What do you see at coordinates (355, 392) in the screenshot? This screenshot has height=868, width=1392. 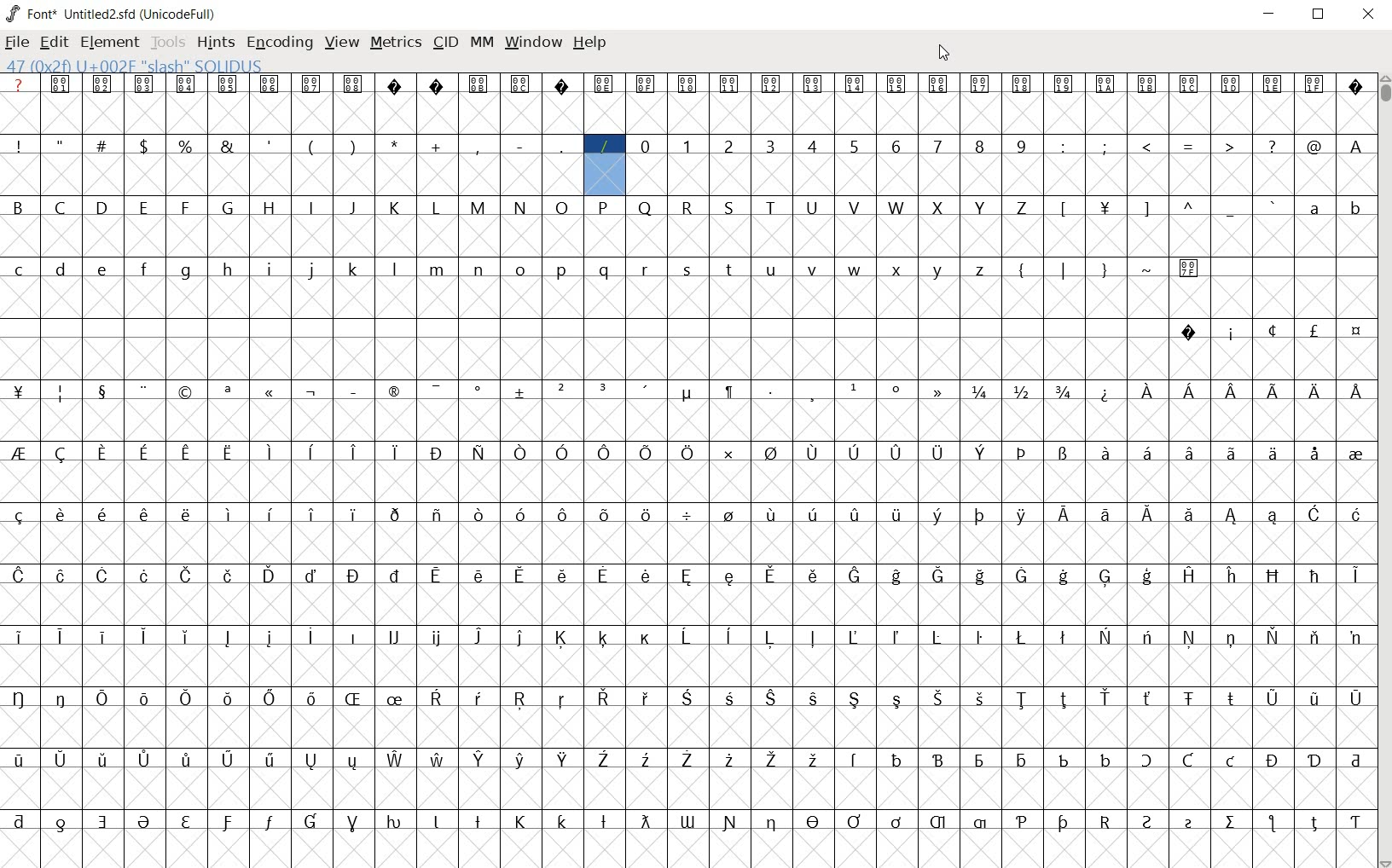 I see `glyph` at bounding box center [355, 392].